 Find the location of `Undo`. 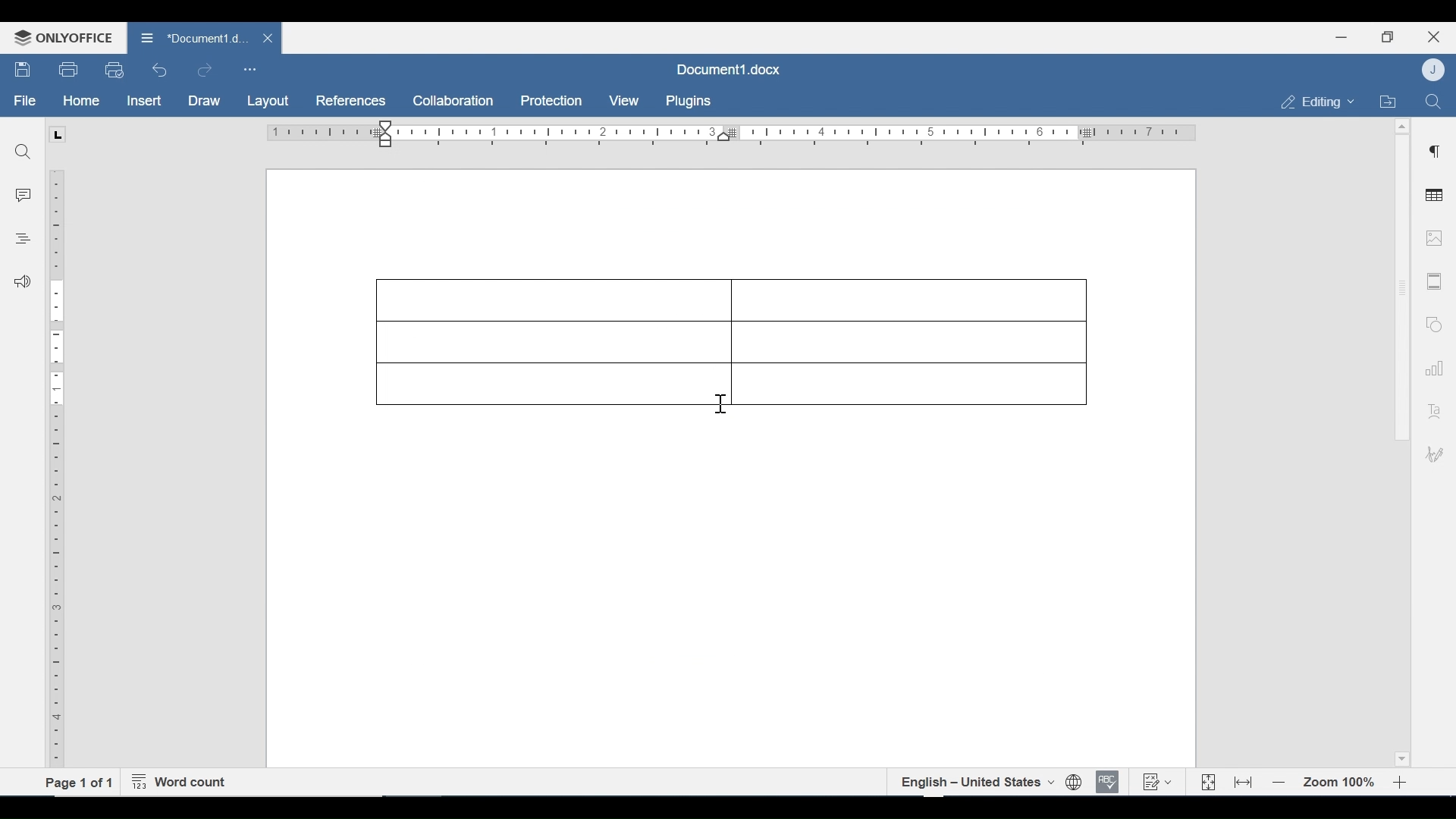

Undo is located at coordinates (160, 70).